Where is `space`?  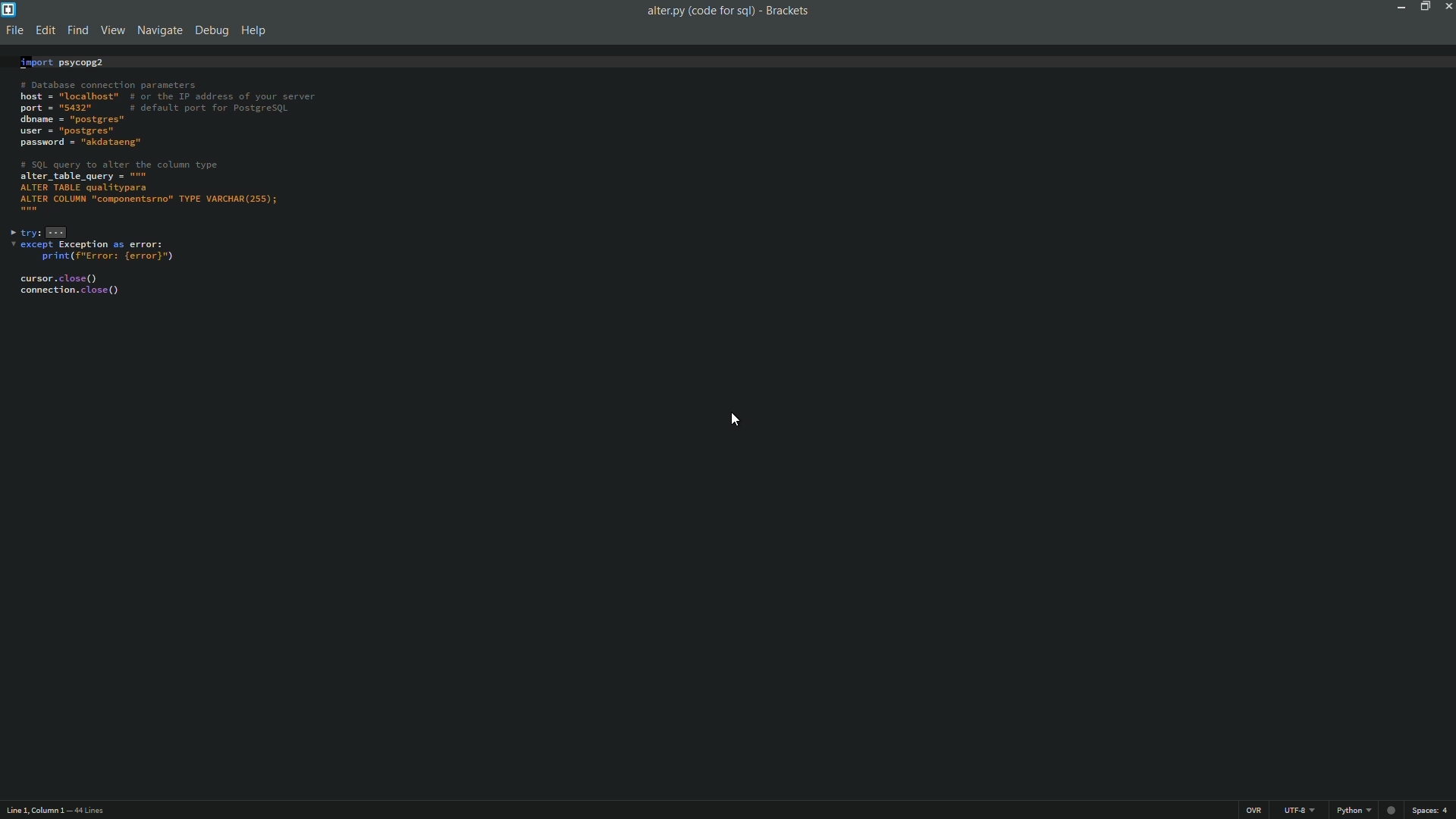
space is located at coordinates (1432, 811).